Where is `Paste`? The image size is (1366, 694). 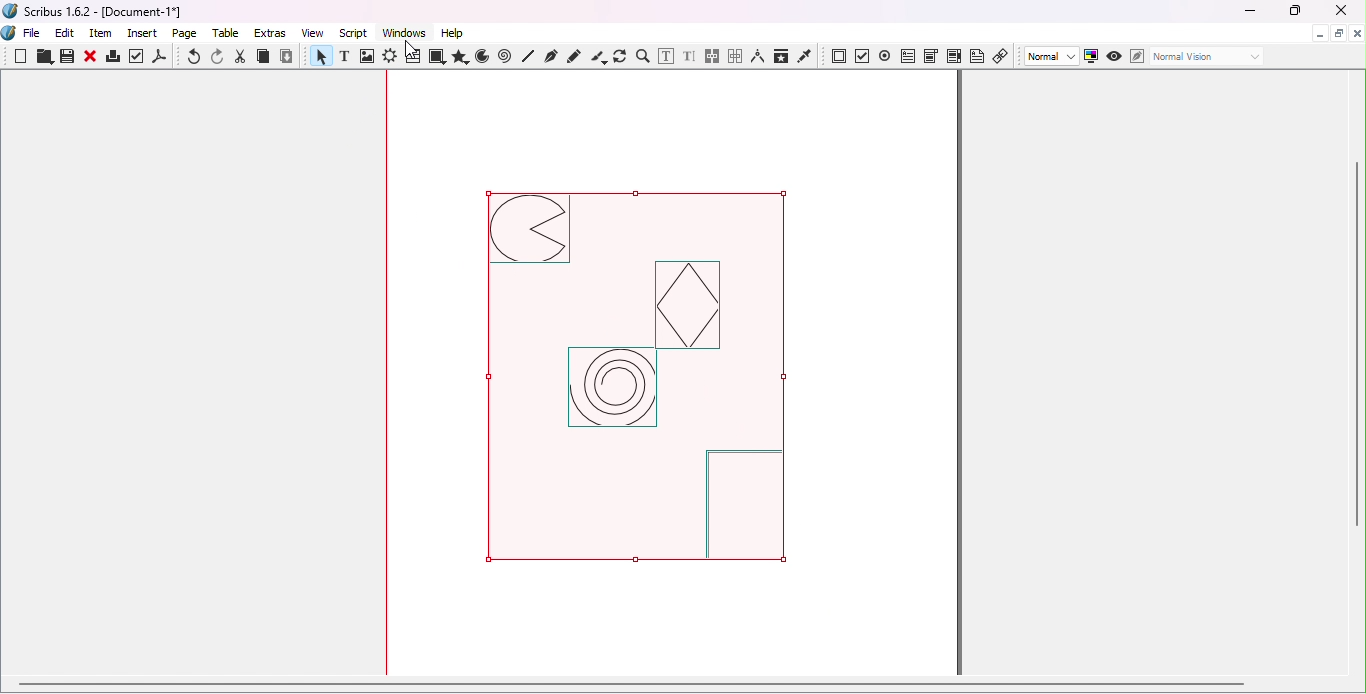 Paste is located at coordinates (287, 57).